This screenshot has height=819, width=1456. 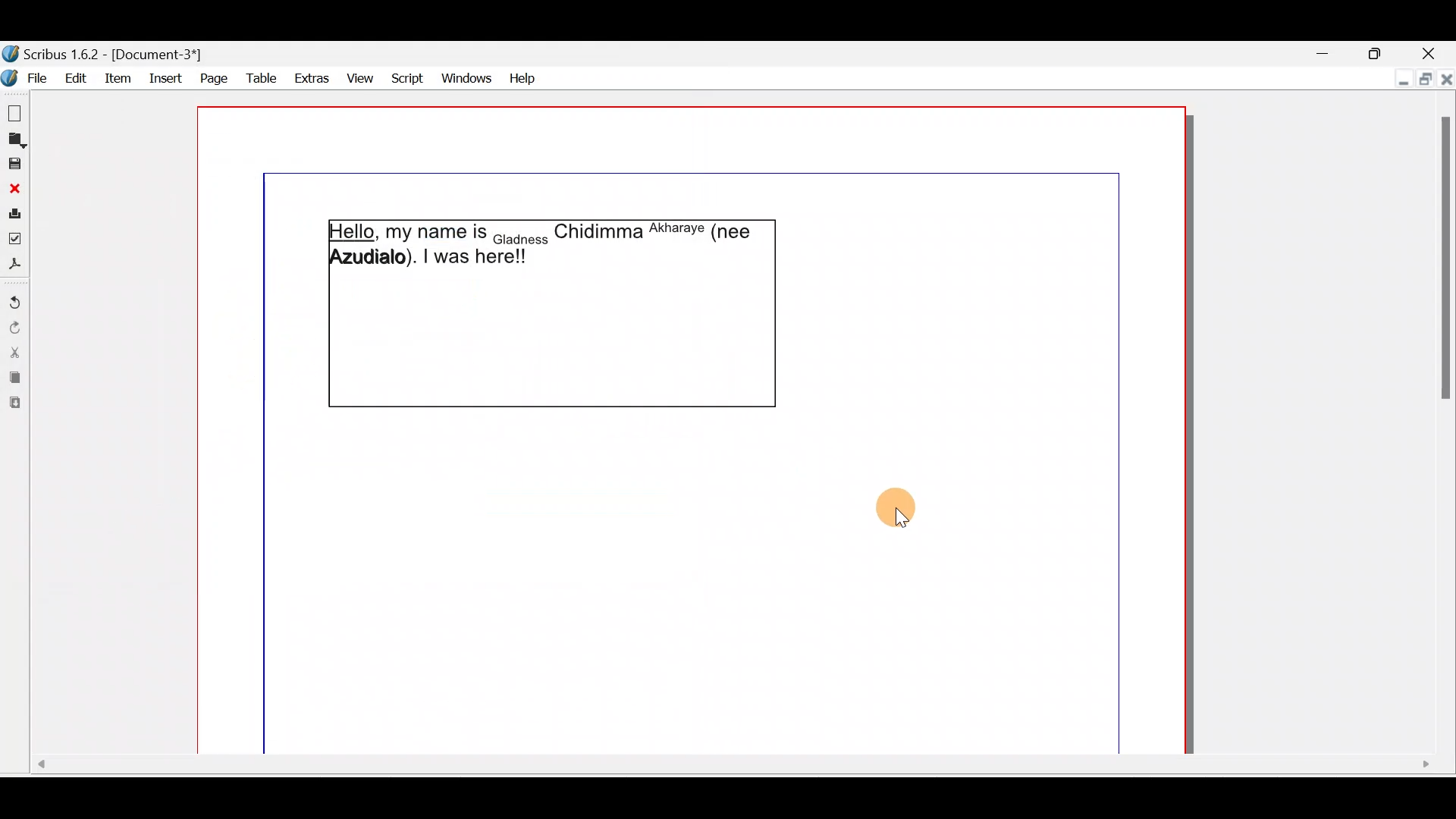 What do you see at coordinates (1433, 53) in the screenshot?
I see `Close` at bounding box center [1433, 53].